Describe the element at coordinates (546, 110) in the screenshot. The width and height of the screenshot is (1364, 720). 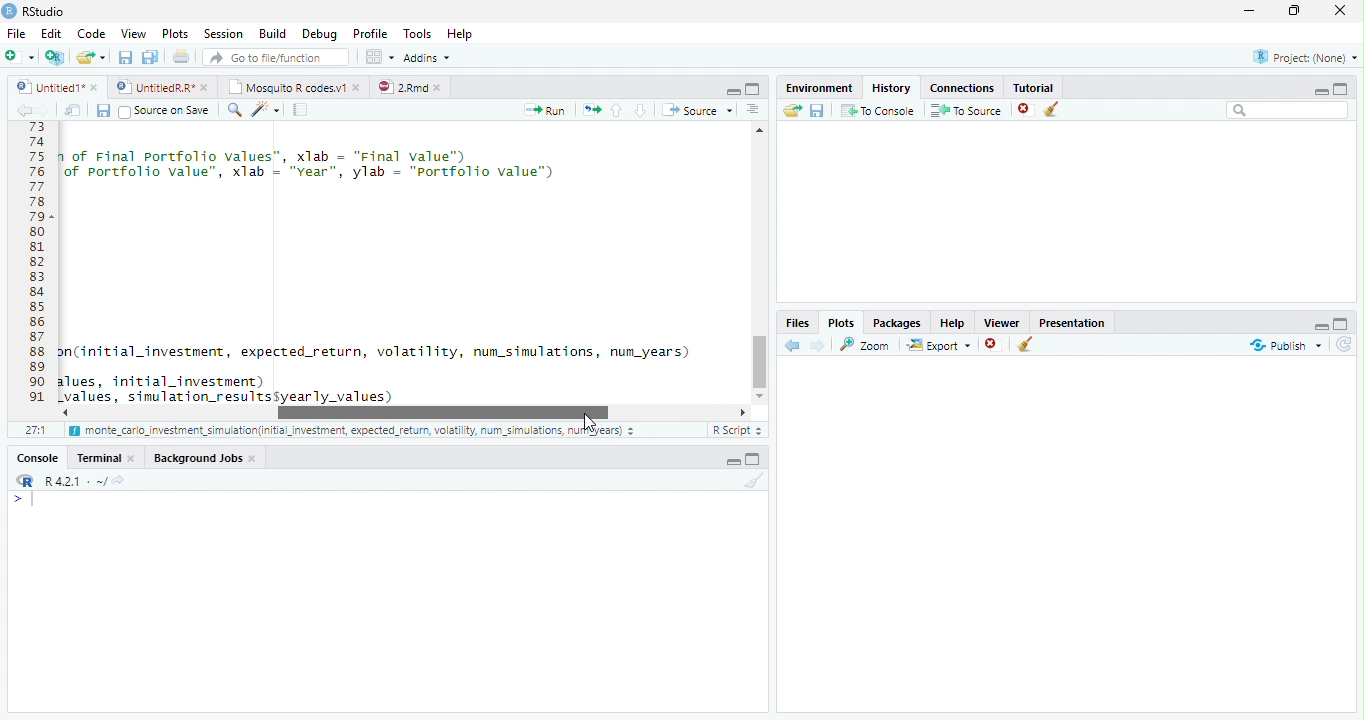
I see `Run` at that location.